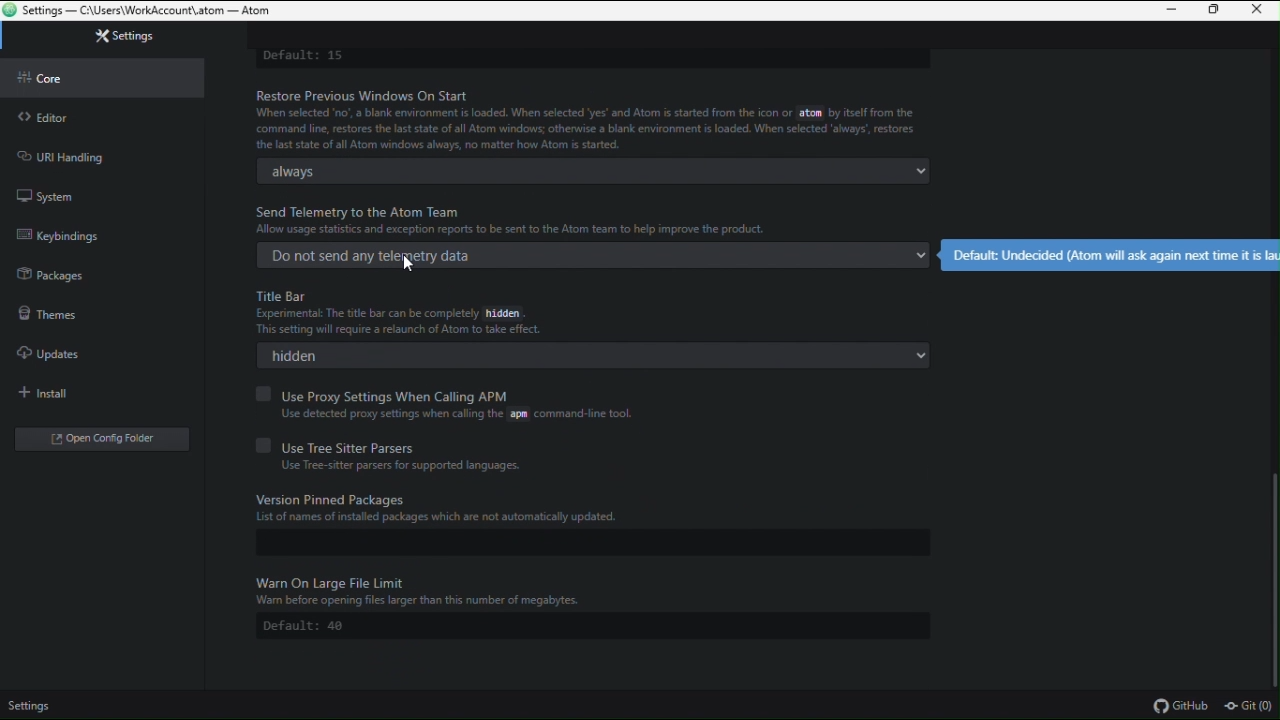 The image size is (1280, 720). What do you see at coordinates (432, 312) in the screenshot?
I see `Title Bar Experimental: The tital bar can be completely hidden. This setting will require a relaunch of Atom to take effect.` at bounding box center [432, 312].